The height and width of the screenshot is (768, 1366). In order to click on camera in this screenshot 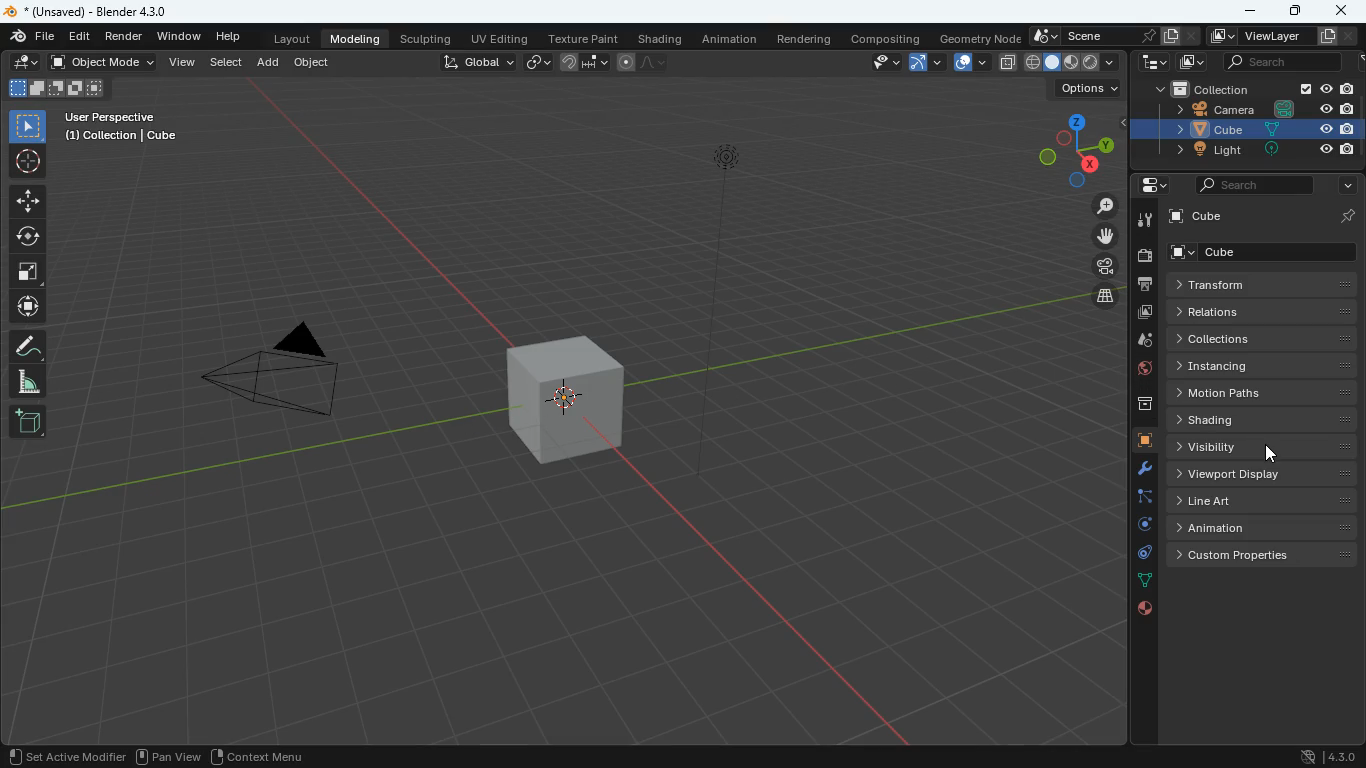, I will do `click(1144, 256)`.